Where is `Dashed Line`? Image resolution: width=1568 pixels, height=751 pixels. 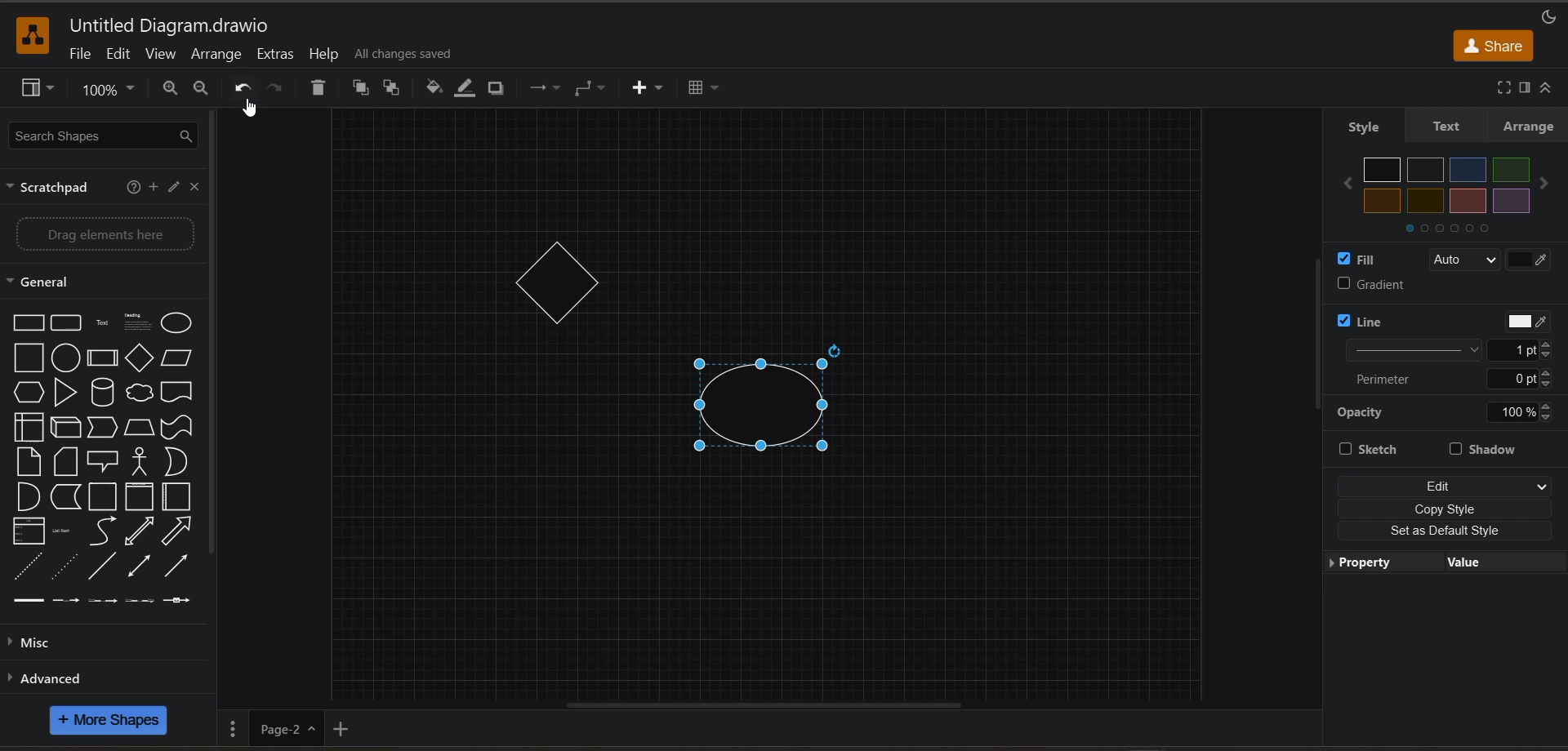
Dashed Line is located at coordinates (24, 568).